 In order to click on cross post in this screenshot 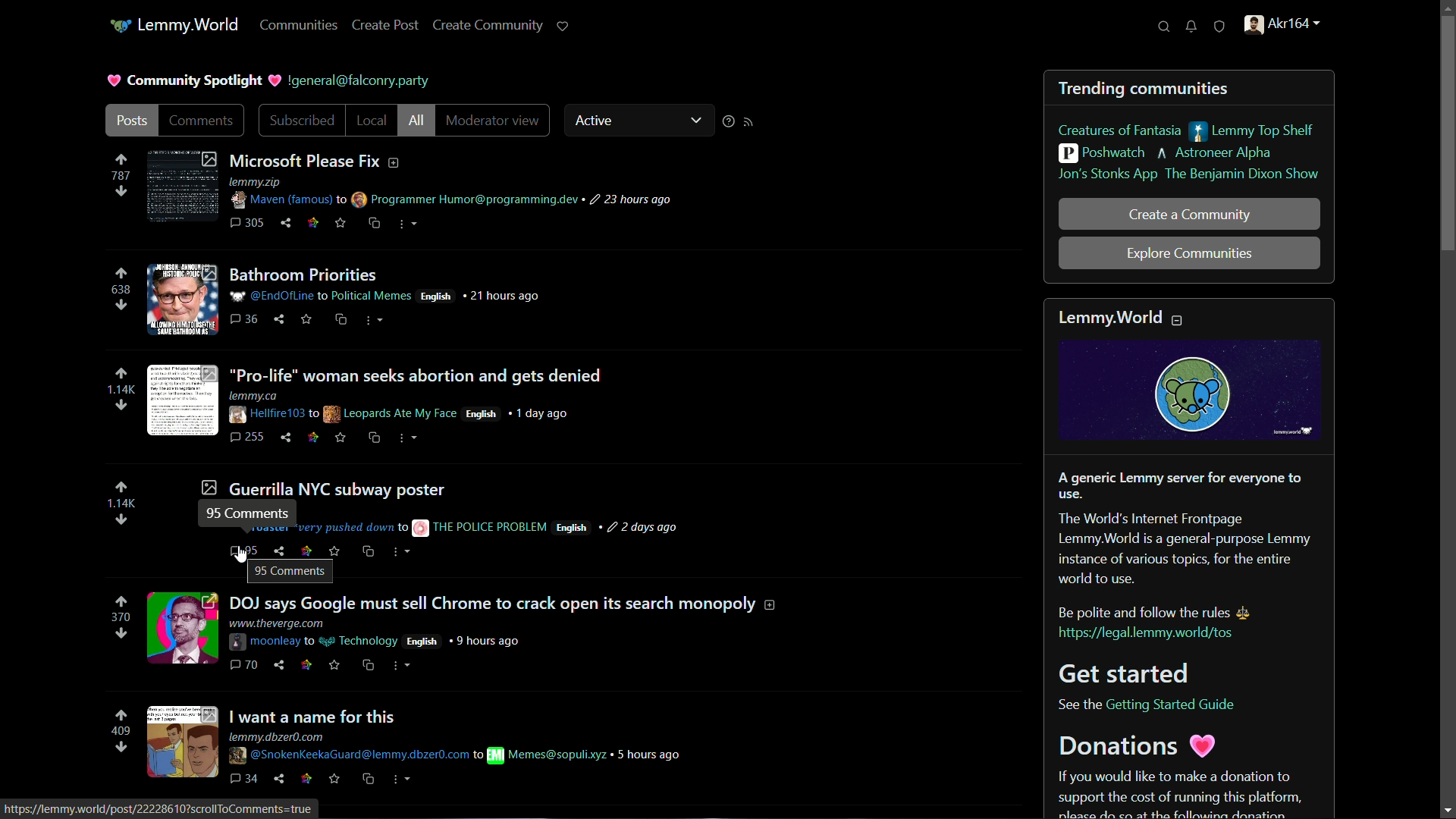, I will do `click(340, 318)`.